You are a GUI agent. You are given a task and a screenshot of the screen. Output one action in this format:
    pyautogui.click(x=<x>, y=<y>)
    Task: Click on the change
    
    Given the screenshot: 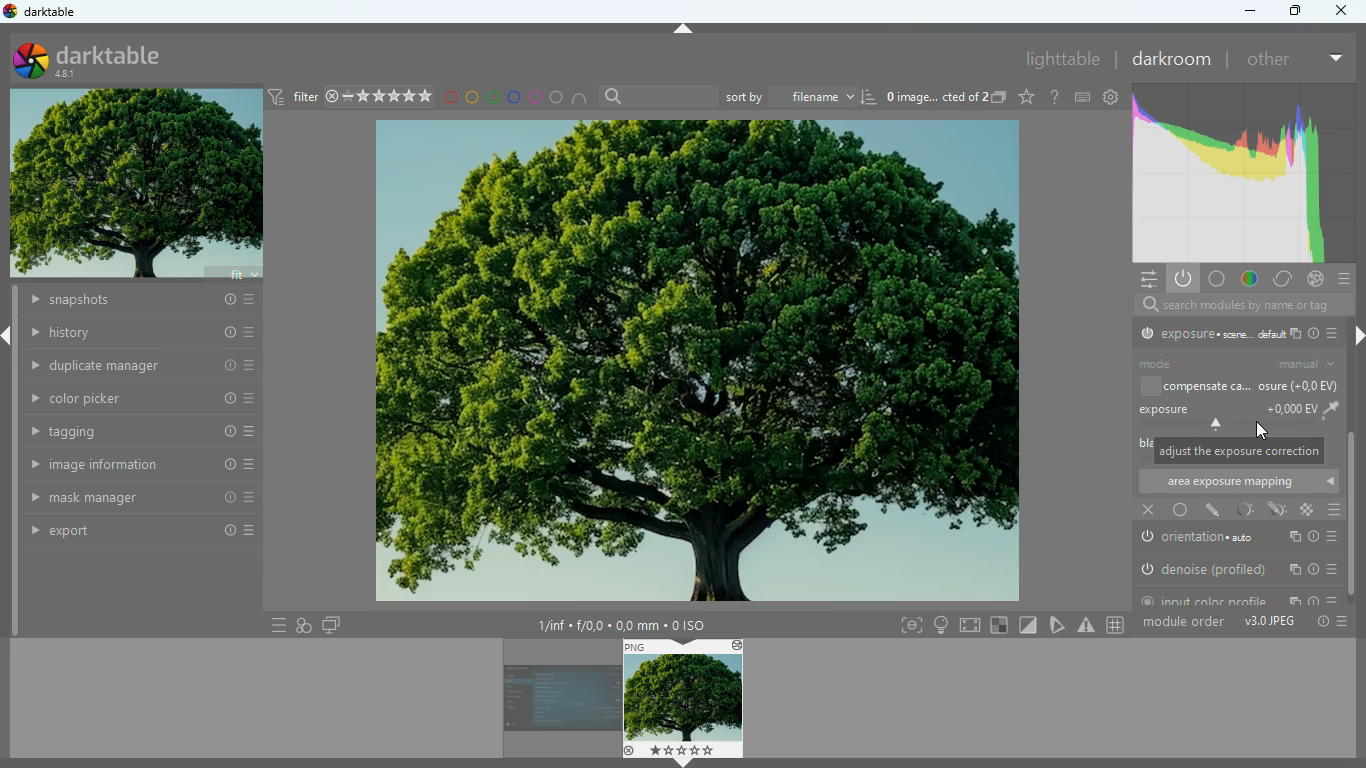 What is the action you would take?
    pyautogui.click(x=1284, y=278)
    